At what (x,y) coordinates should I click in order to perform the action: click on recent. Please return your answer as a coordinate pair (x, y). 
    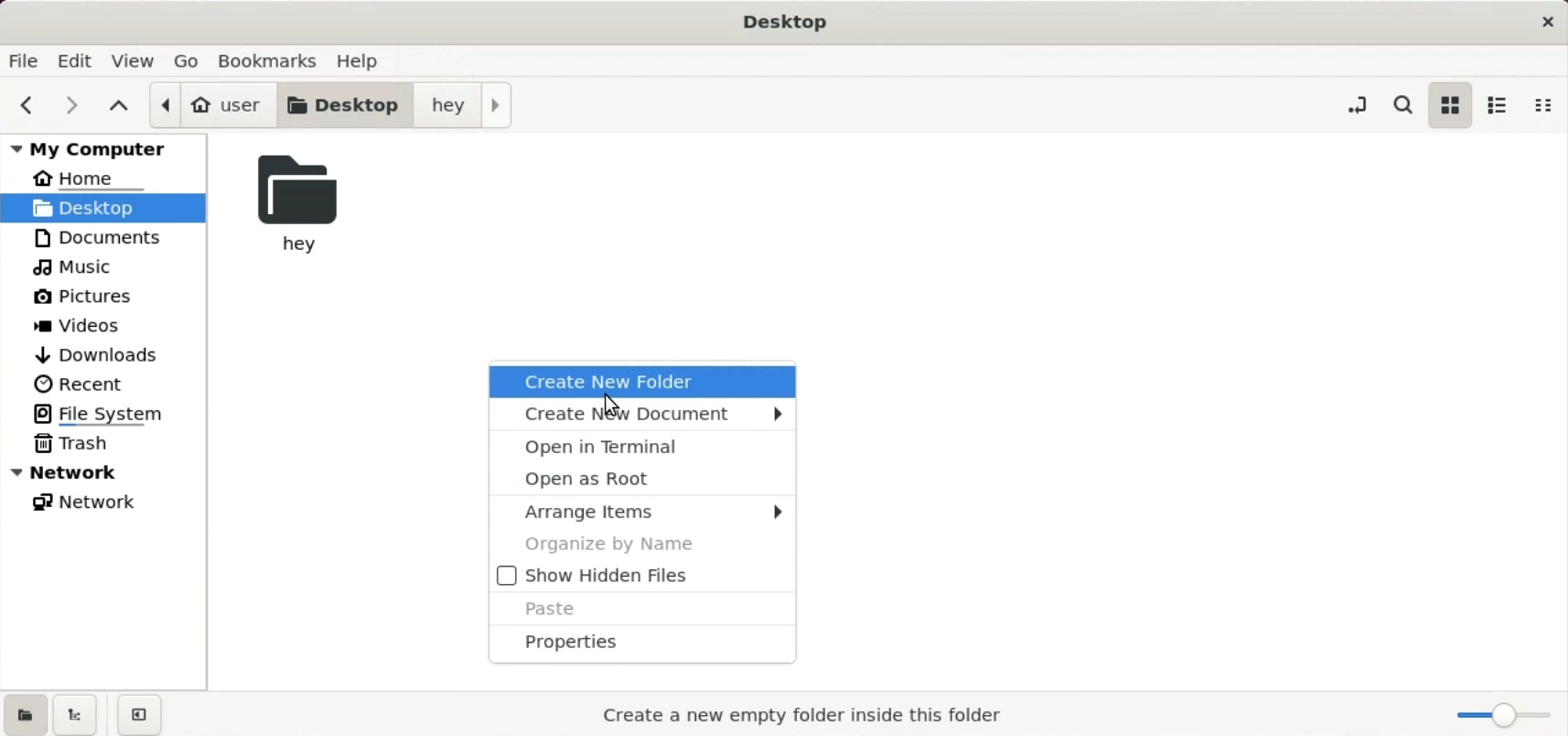
    Looking at the image, I should click on (89, 383).